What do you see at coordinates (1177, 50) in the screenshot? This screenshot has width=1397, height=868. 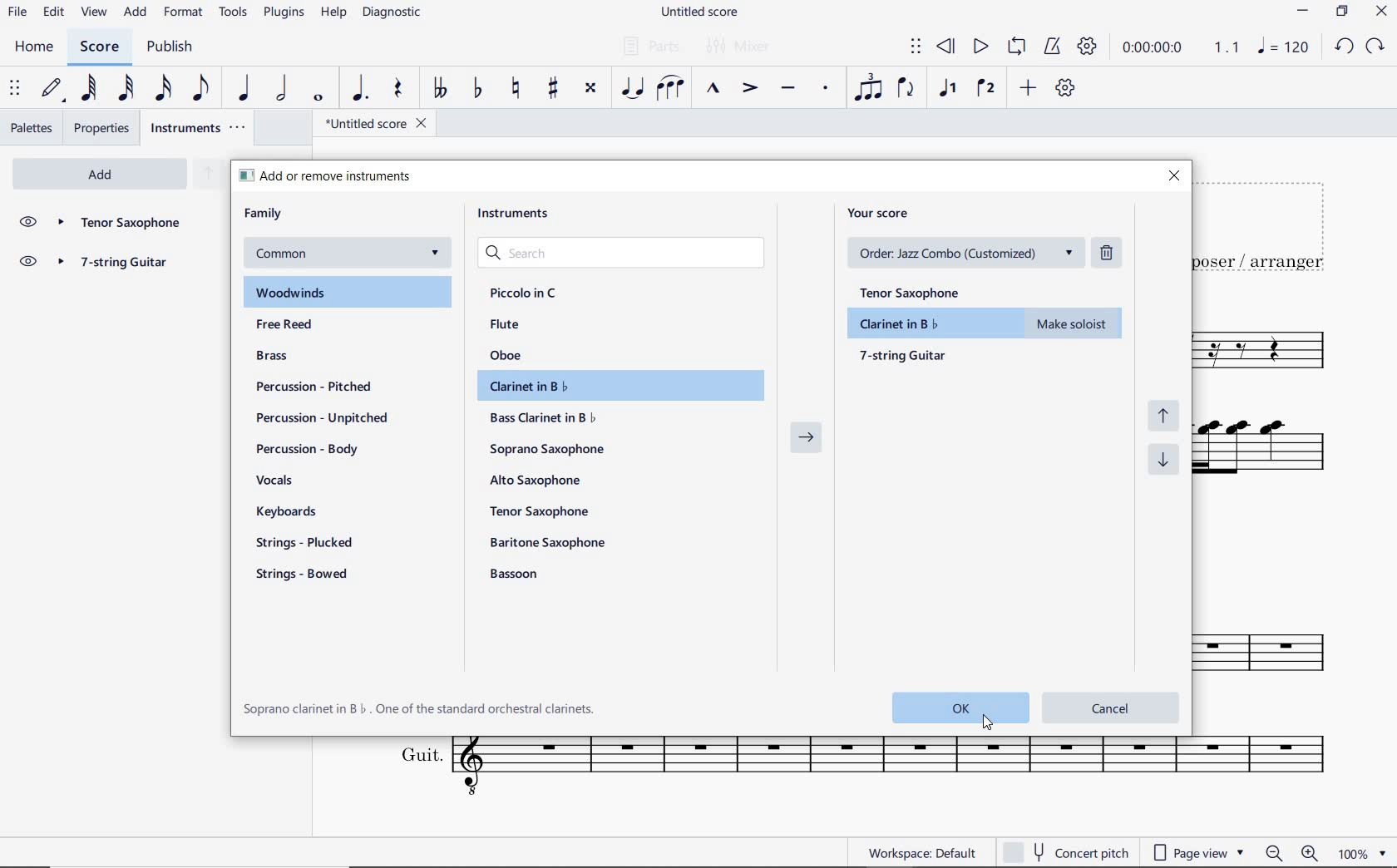 I see `PLAY SPEED` at bounding box center [1177, 50].